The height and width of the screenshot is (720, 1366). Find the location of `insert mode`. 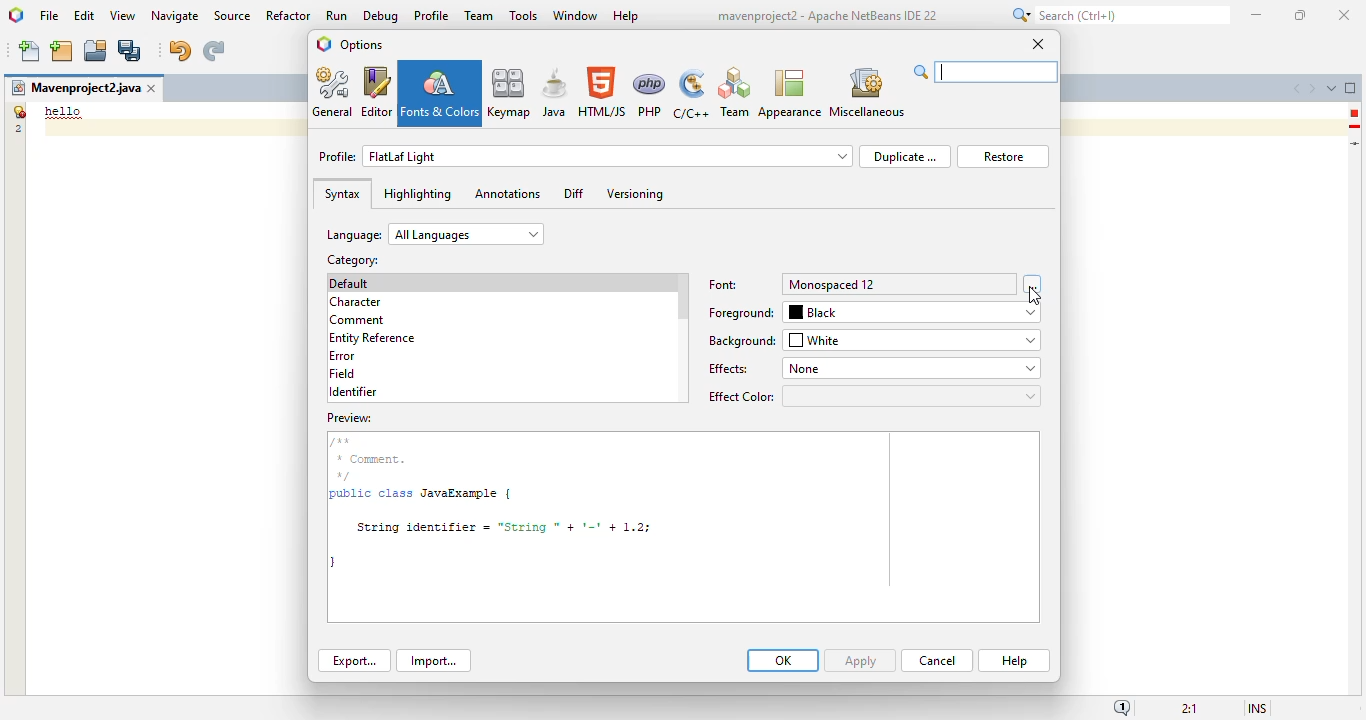

insert mode is located at coordinates (1257, 707).